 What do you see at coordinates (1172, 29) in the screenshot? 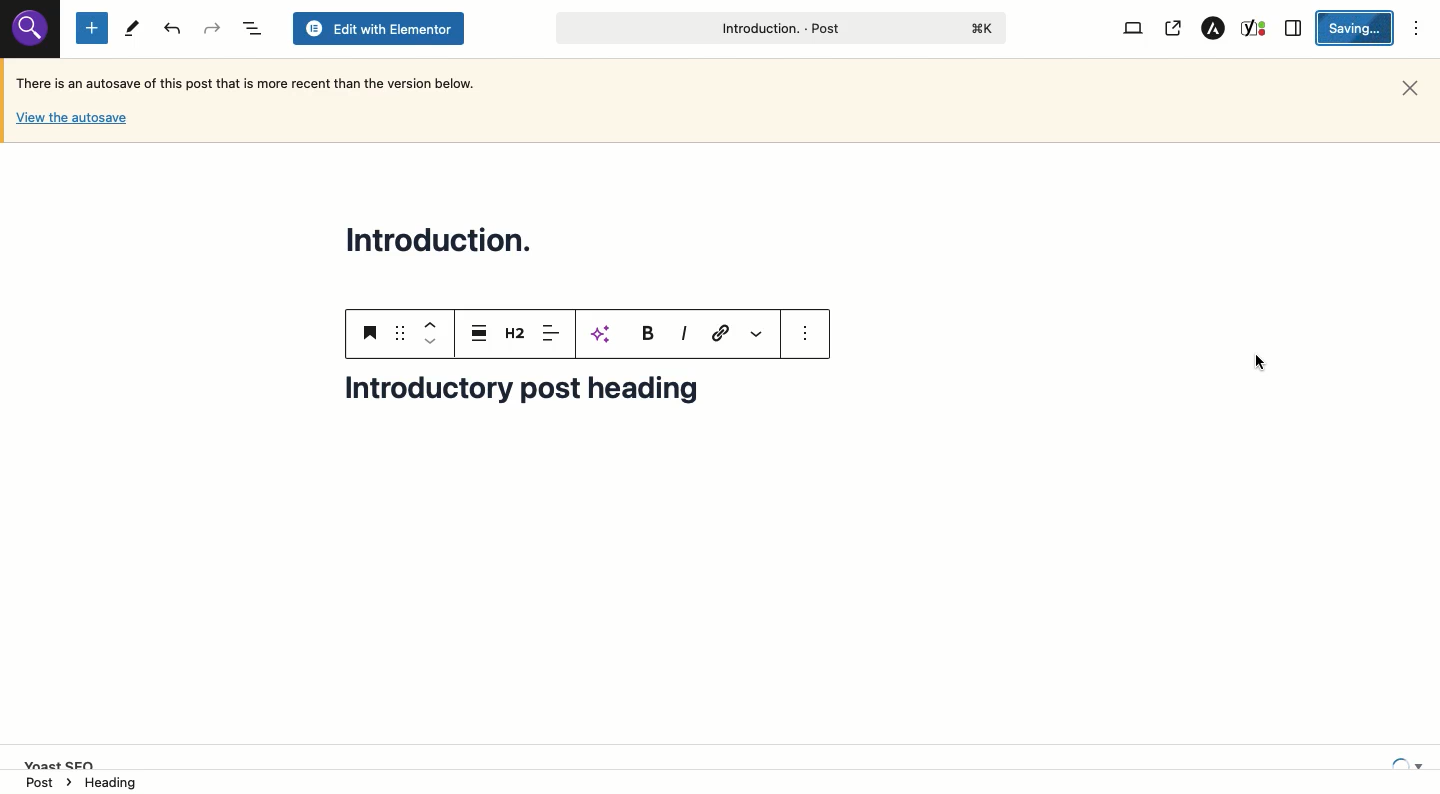
I see `View post` at bounding box center [1172, 29].